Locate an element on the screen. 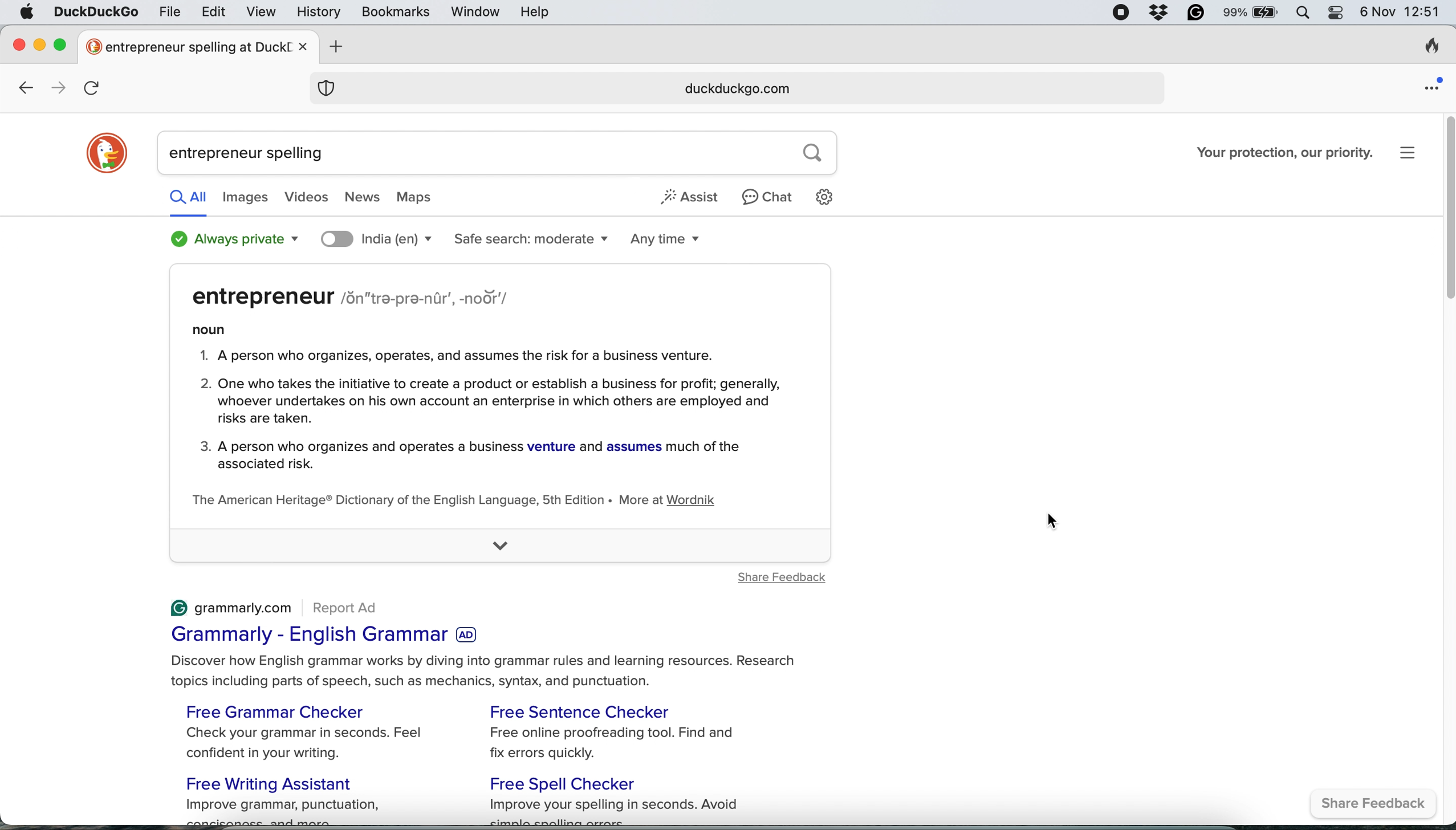  any time is located at coordinates (666, 238).